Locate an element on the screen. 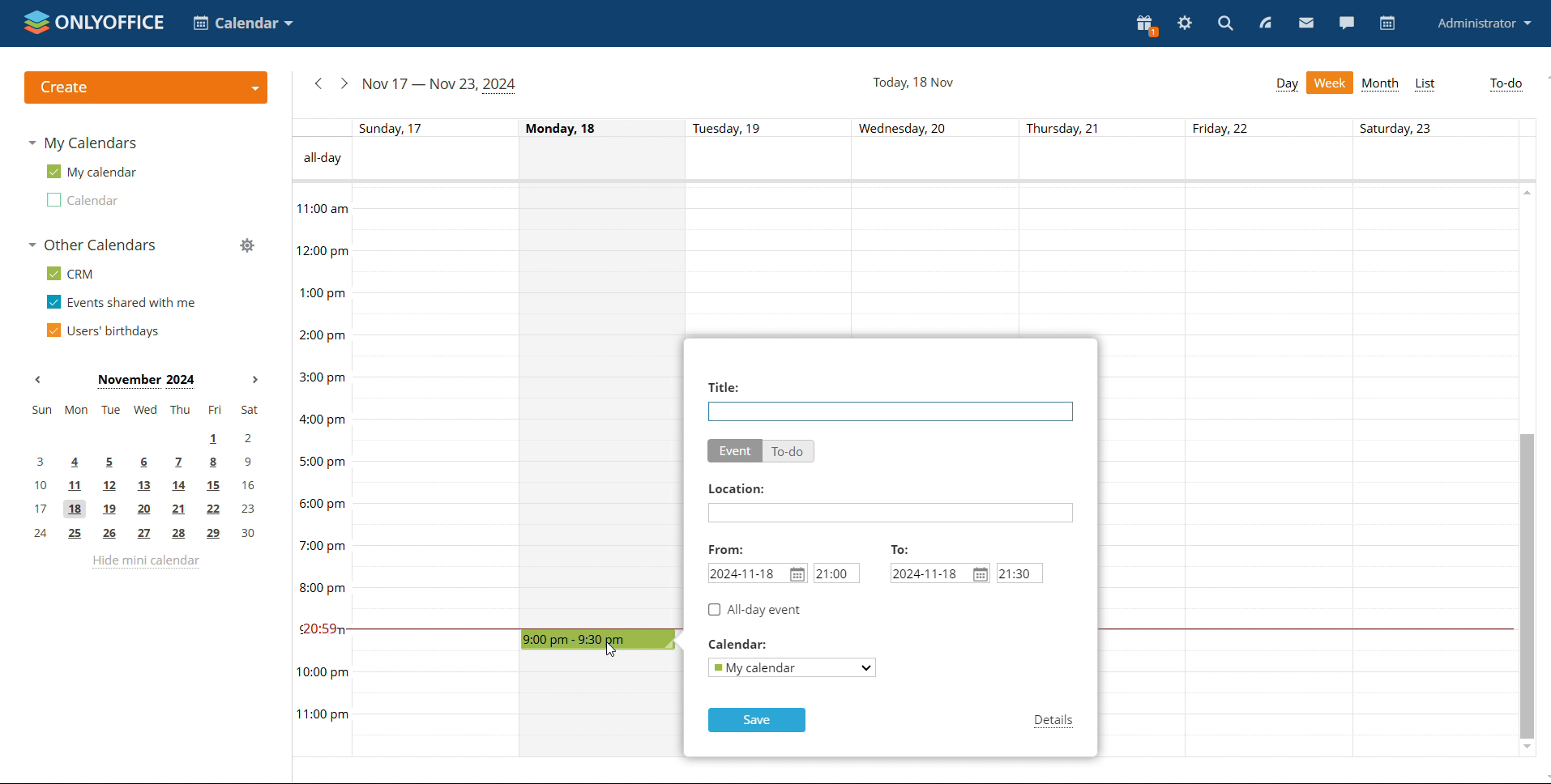  current week is located at coordinates (442, 85).